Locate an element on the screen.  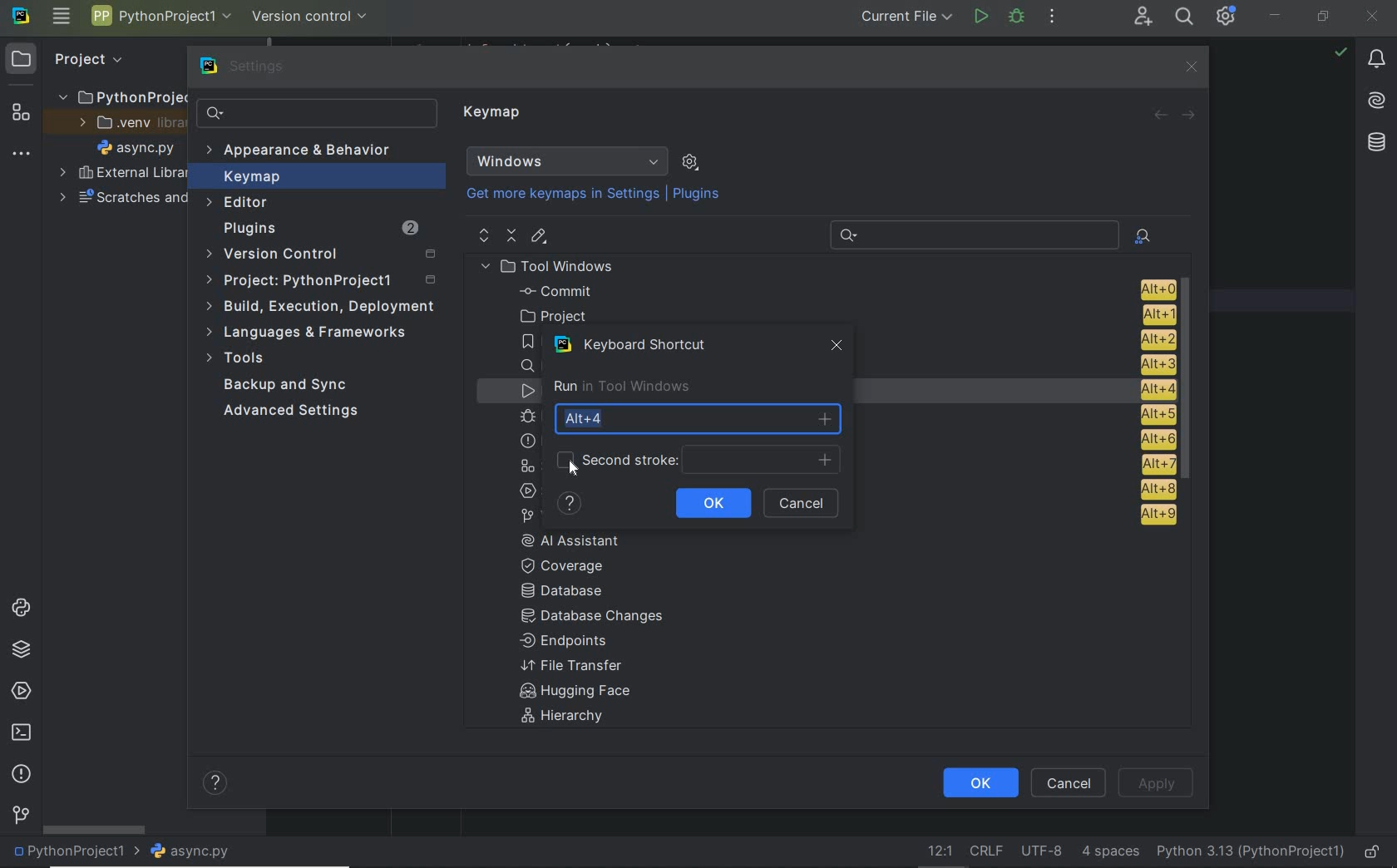
Recent Search is located at coordinates (971, 233).